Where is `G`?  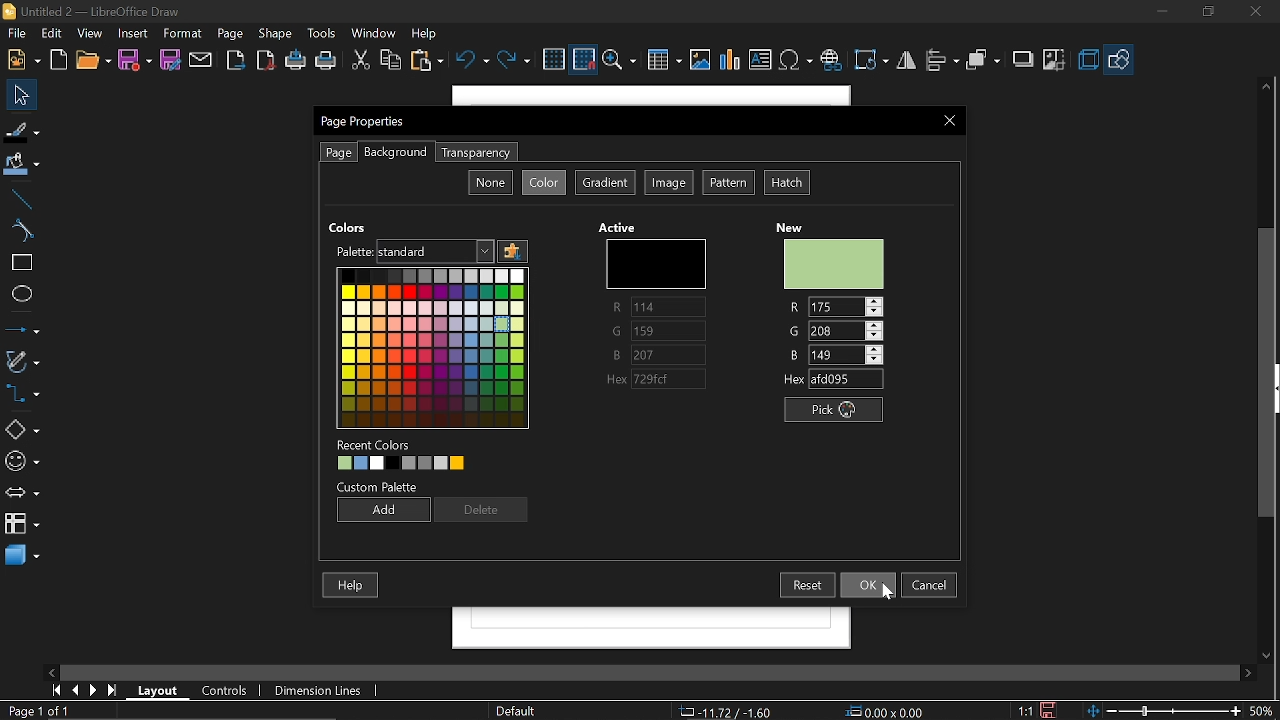
G is located at coordinates (658, 333).